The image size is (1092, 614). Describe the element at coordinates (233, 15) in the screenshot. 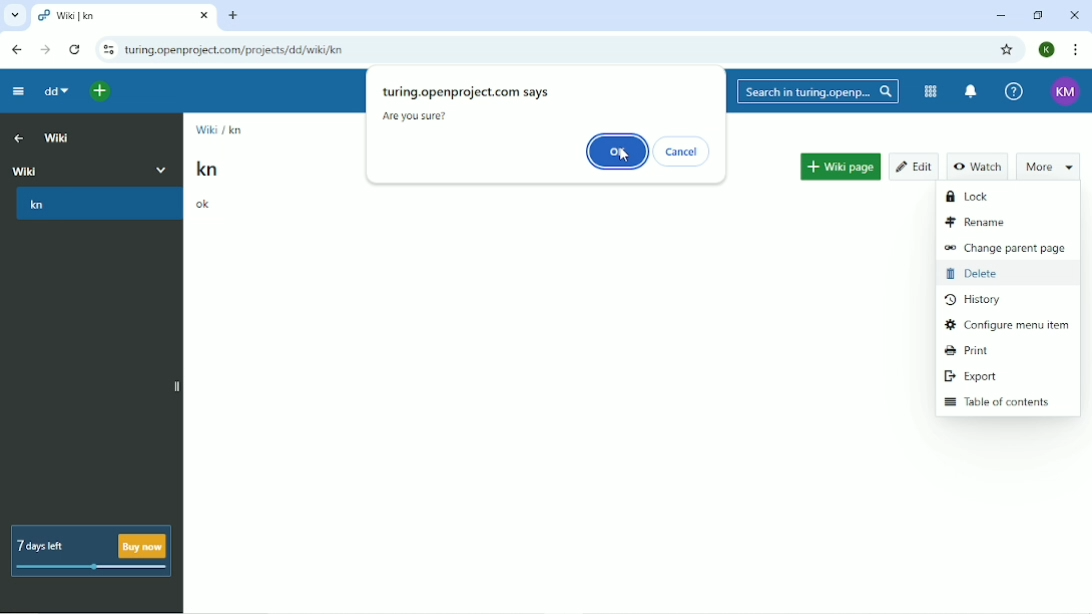

I see `New tab` at that location.